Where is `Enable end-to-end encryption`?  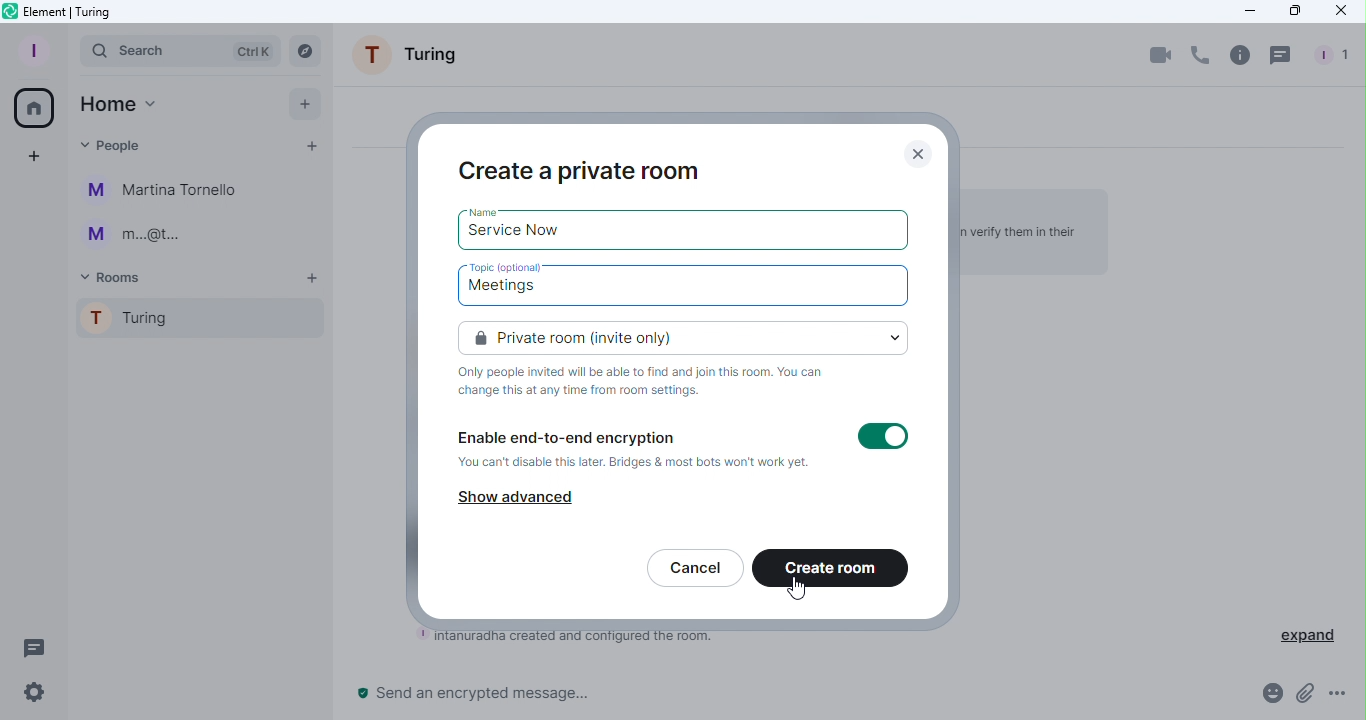 Enable end-to-end encryption is located at coordinates (634, 451).